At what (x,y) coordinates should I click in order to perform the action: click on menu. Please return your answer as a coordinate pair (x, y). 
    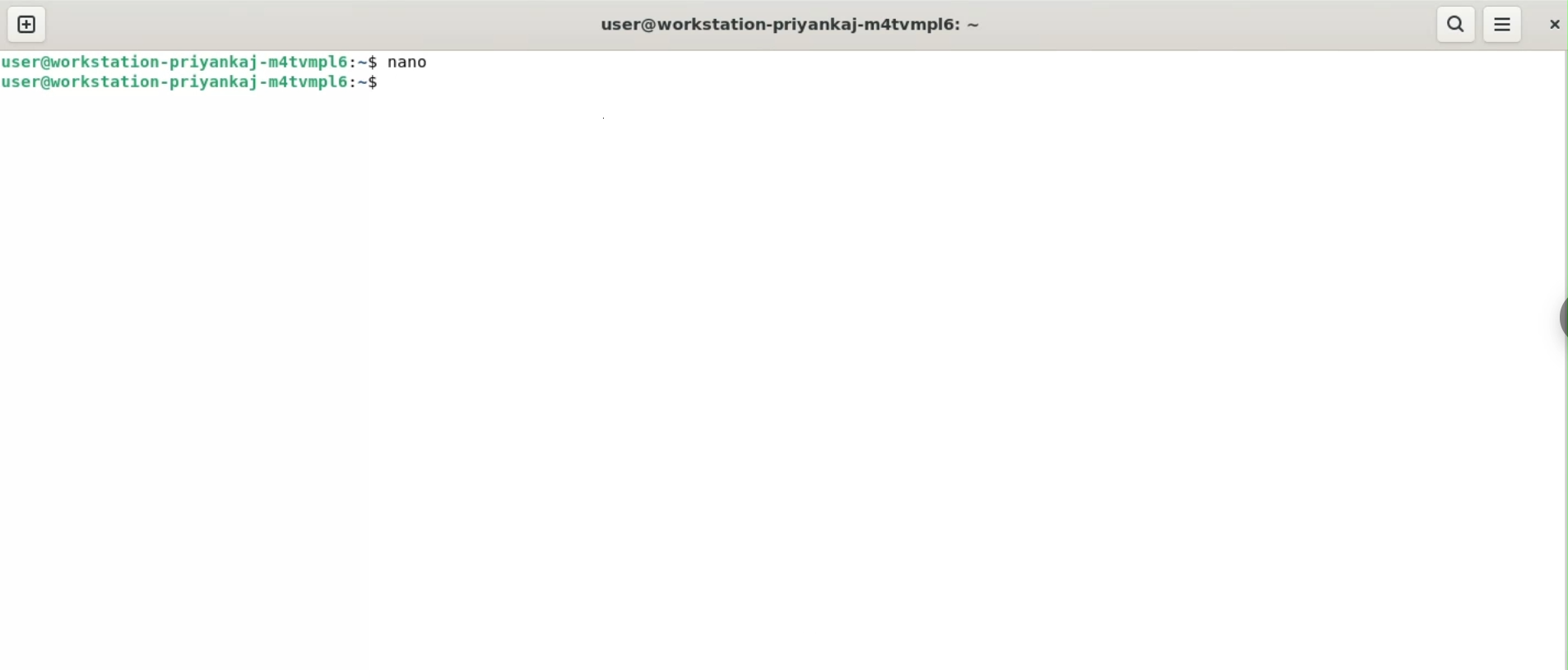
    Looking at the image, I should click on (1501, 24).